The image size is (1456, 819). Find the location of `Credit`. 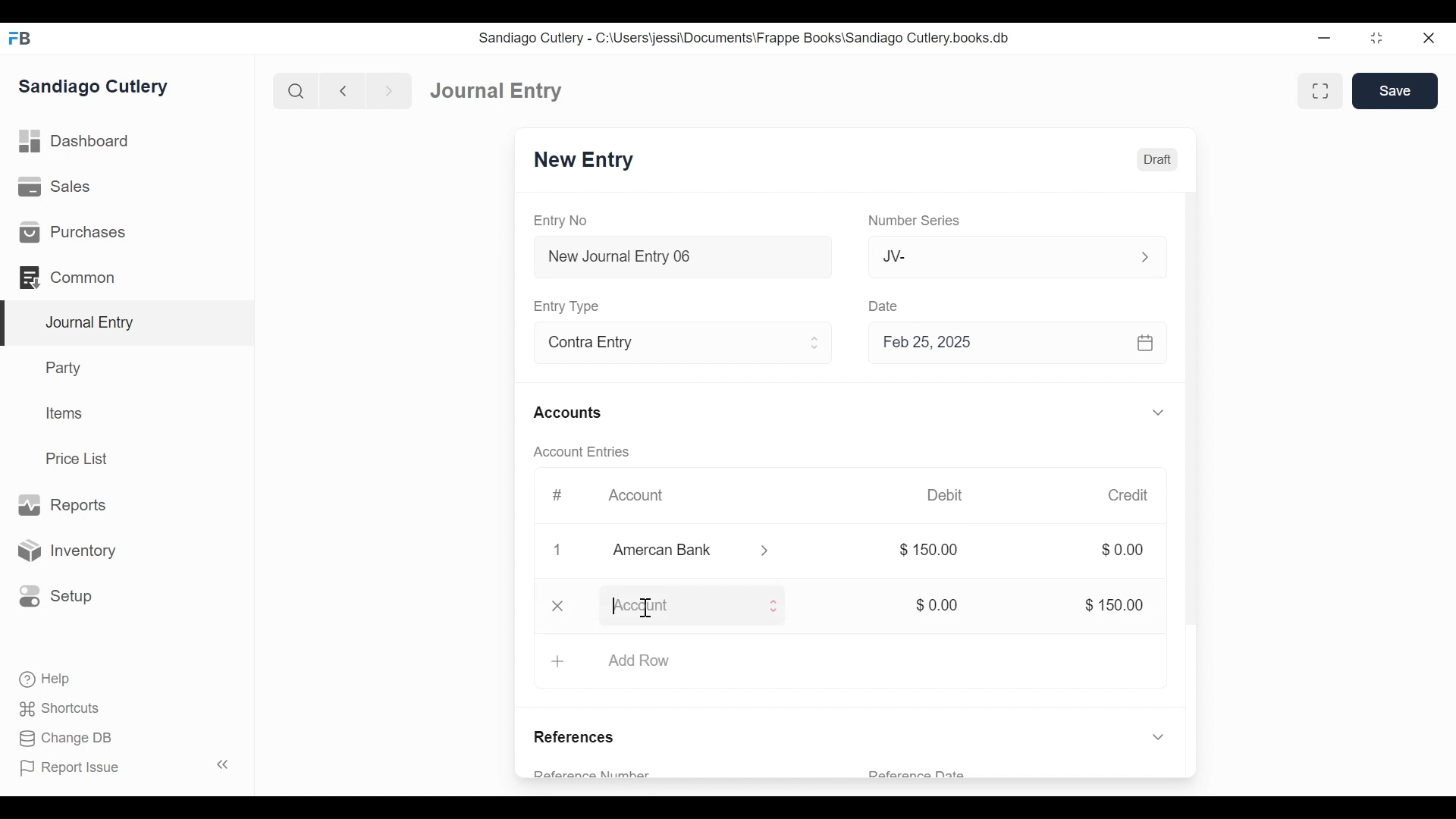

Credit is located at coordinates (1127, 495).